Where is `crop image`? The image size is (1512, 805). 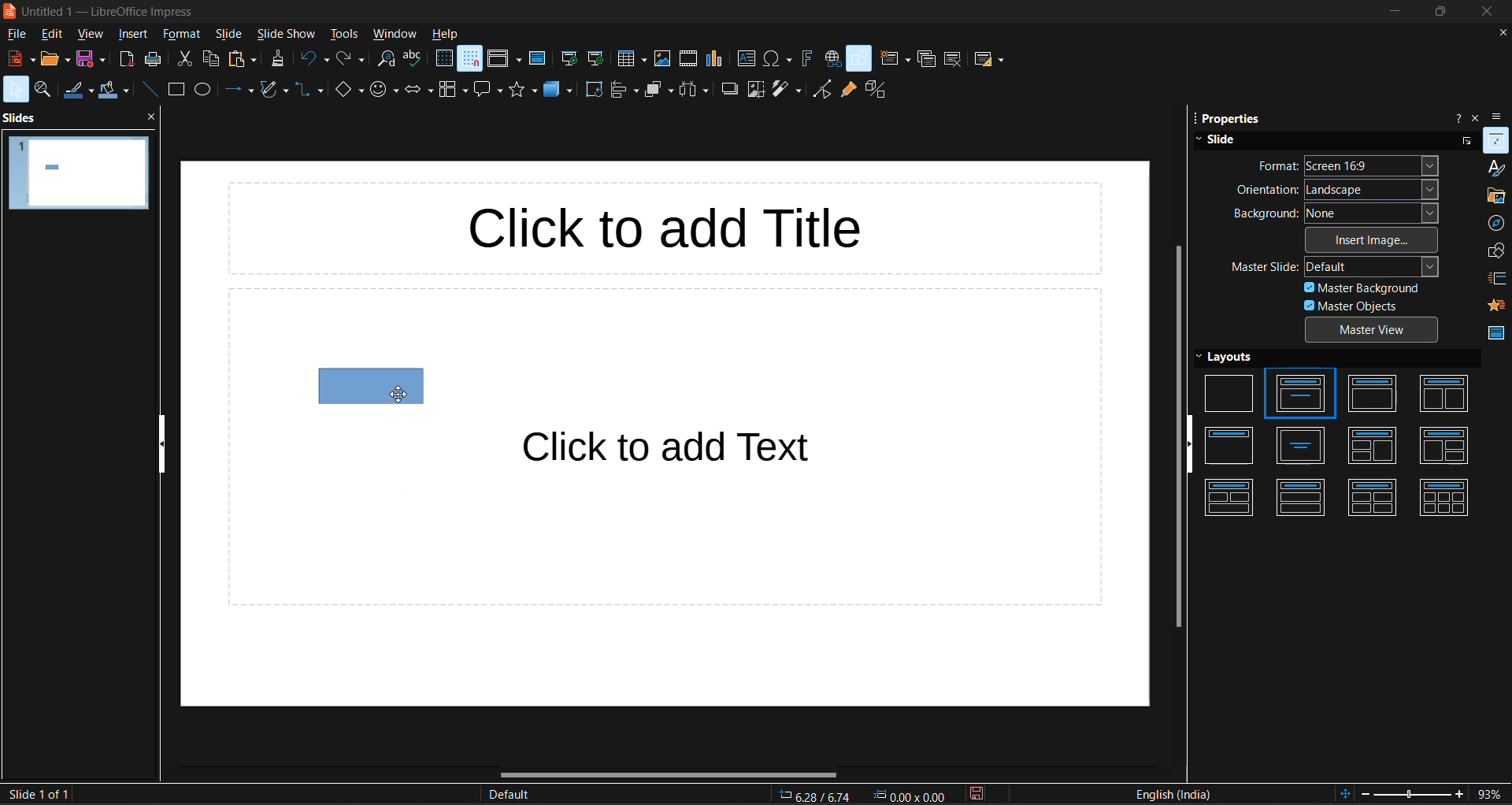 crop image is located at coordinates (754, 91).